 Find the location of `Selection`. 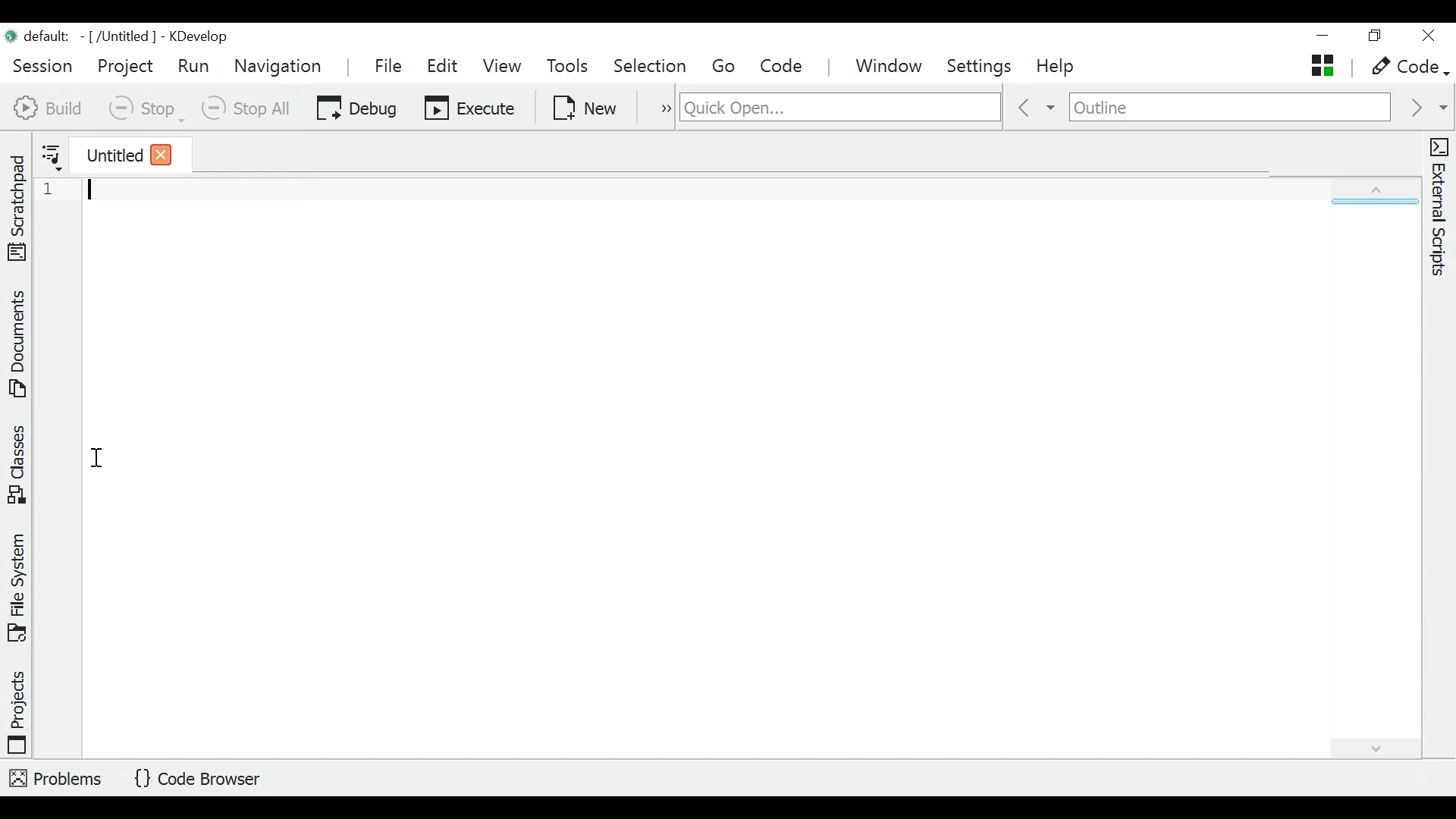

Selection is located at coordinates (652, 67).